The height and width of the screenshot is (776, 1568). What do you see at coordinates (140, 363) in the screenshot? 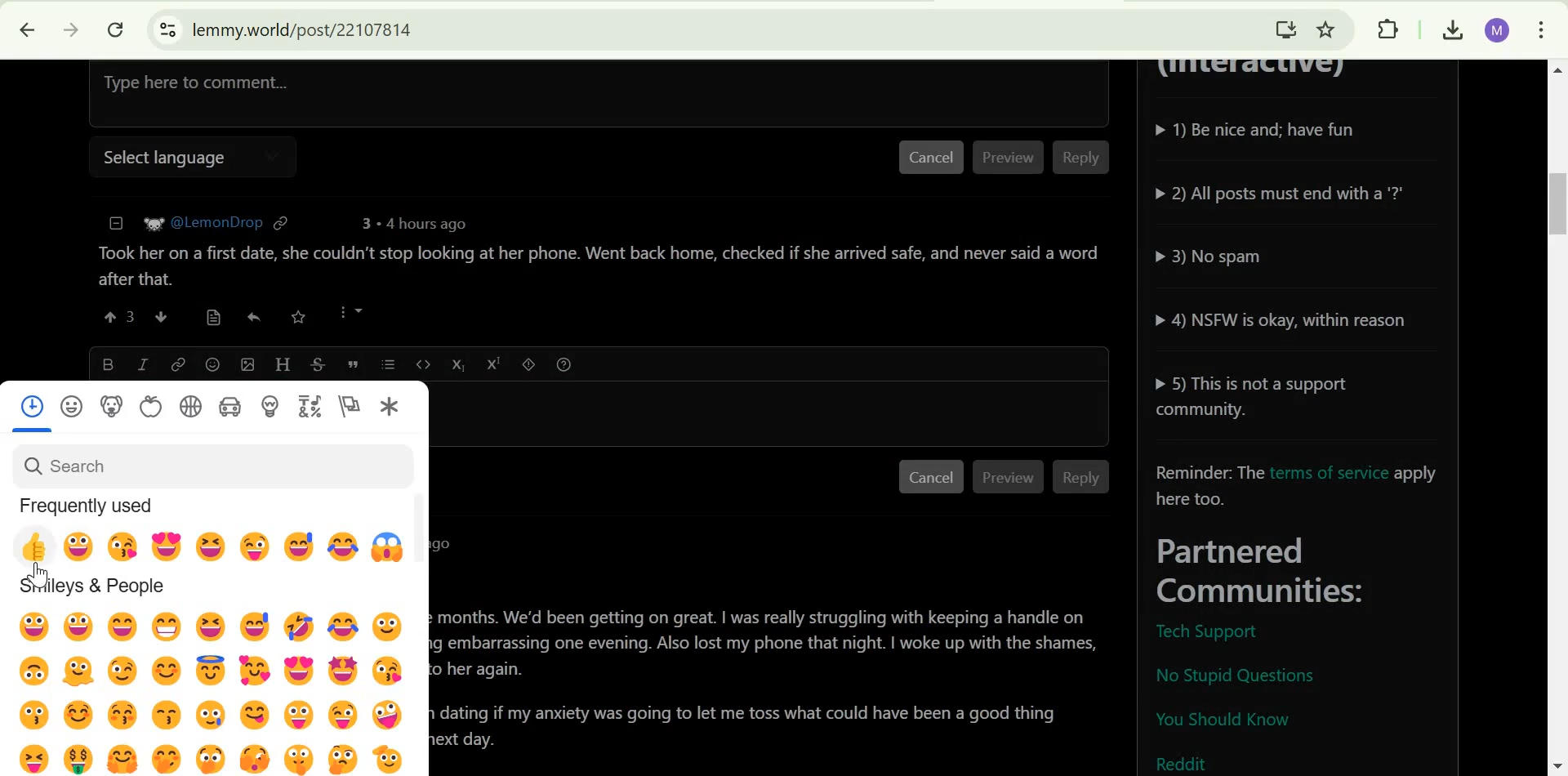
I see `Italic` at bounding box center [140, 363].